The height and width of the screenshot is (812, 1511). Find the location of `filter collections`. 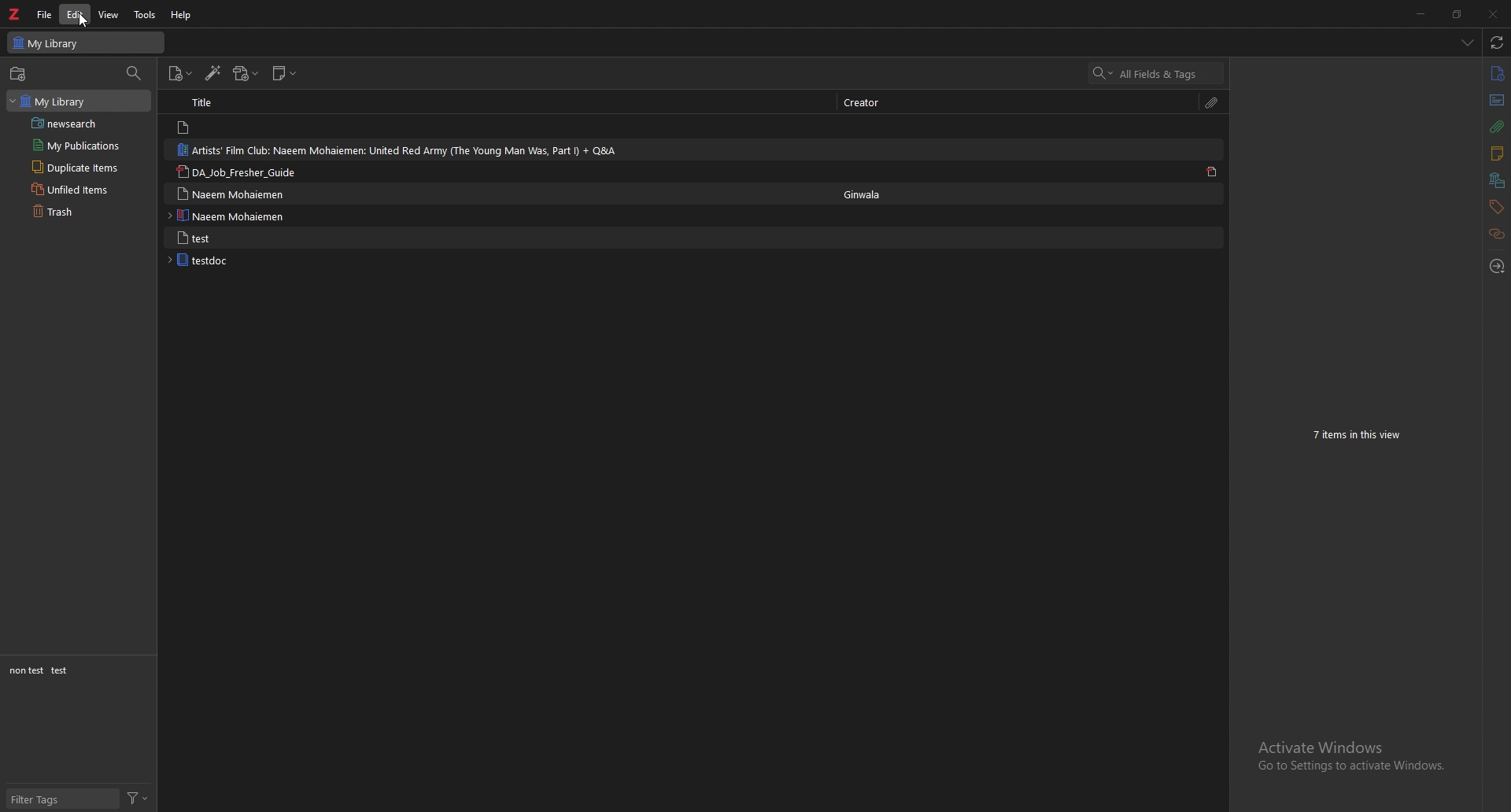

filter collections is located at coordinates (135, 73).